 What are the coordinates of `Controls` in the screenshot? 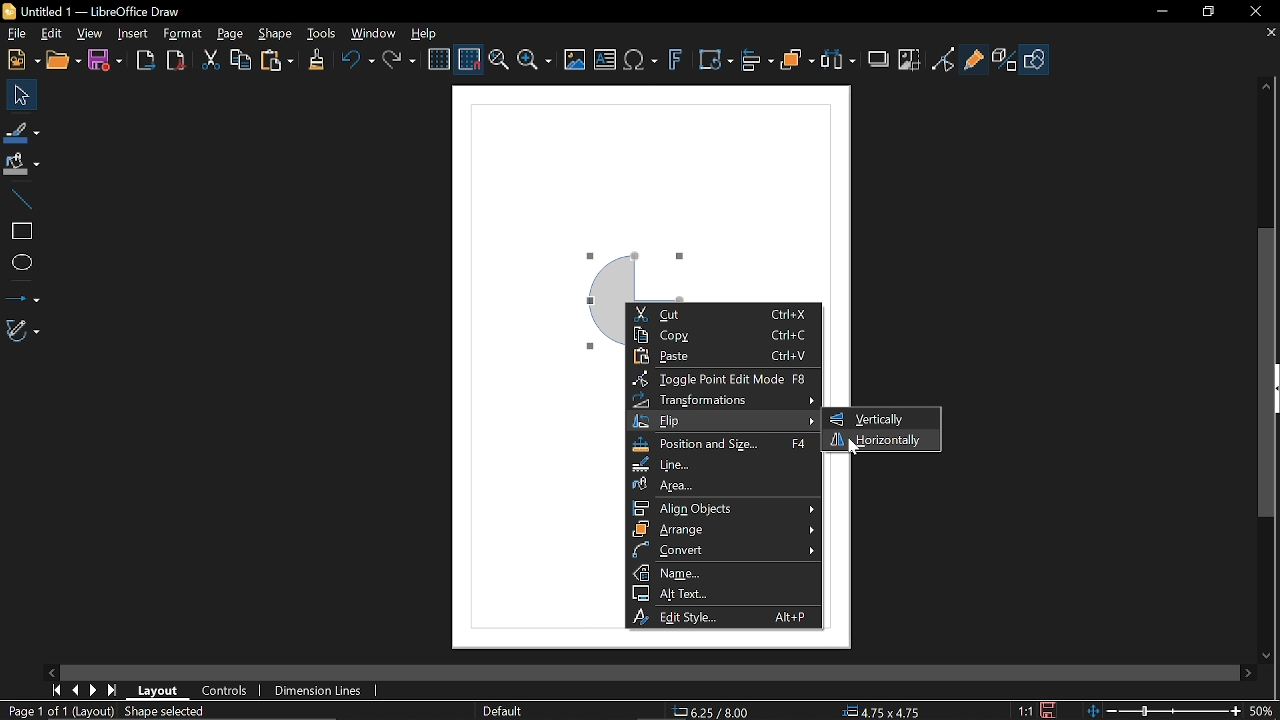 It's located at (223, 690).